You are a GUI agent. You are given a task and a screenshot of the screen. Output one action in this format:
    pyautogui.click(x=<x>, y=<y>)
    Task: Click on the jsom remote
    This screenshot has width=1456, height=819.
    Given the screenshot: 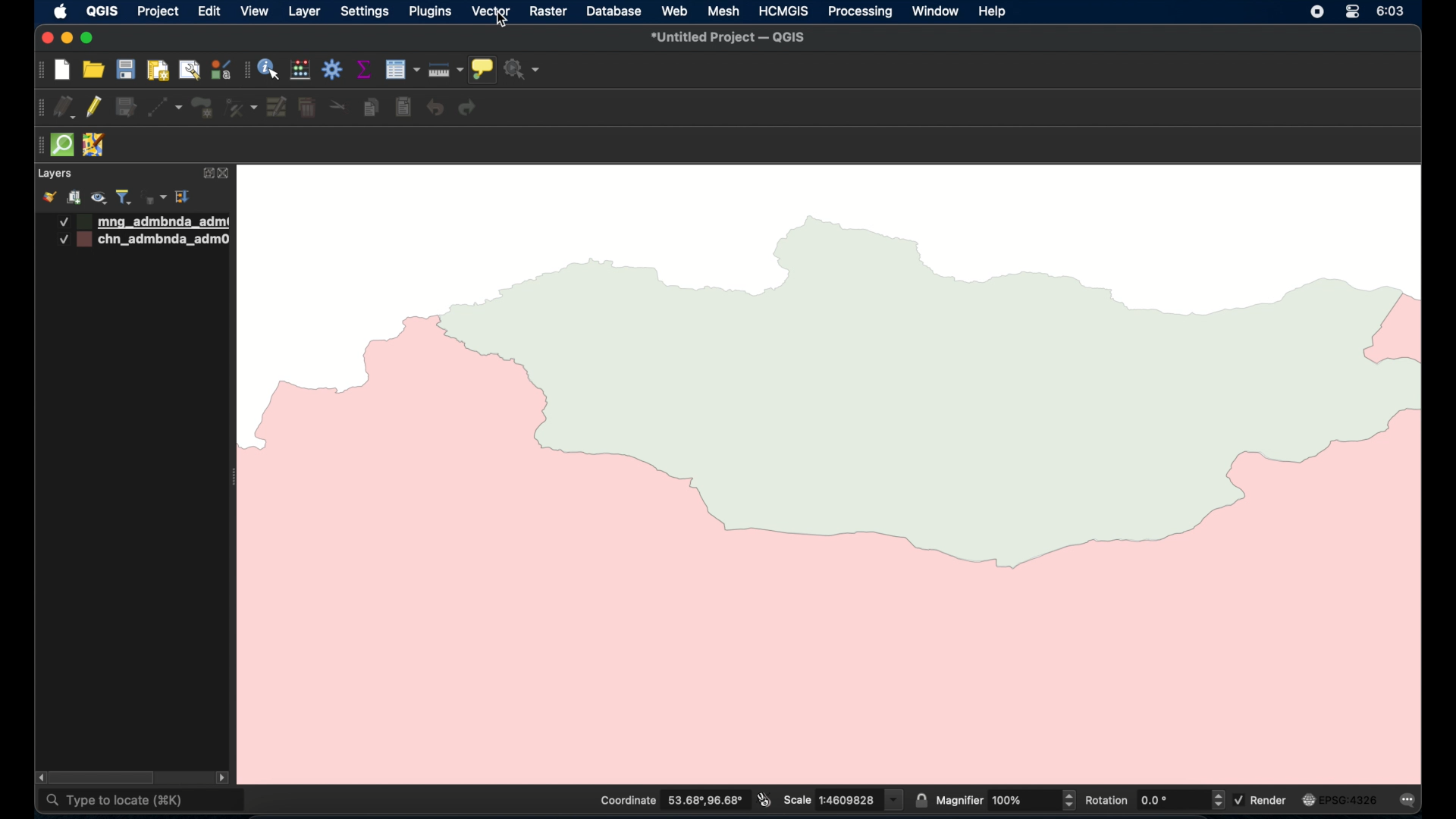 What is the action you would take?
    pyautogui.click(x=96, y=146)
    